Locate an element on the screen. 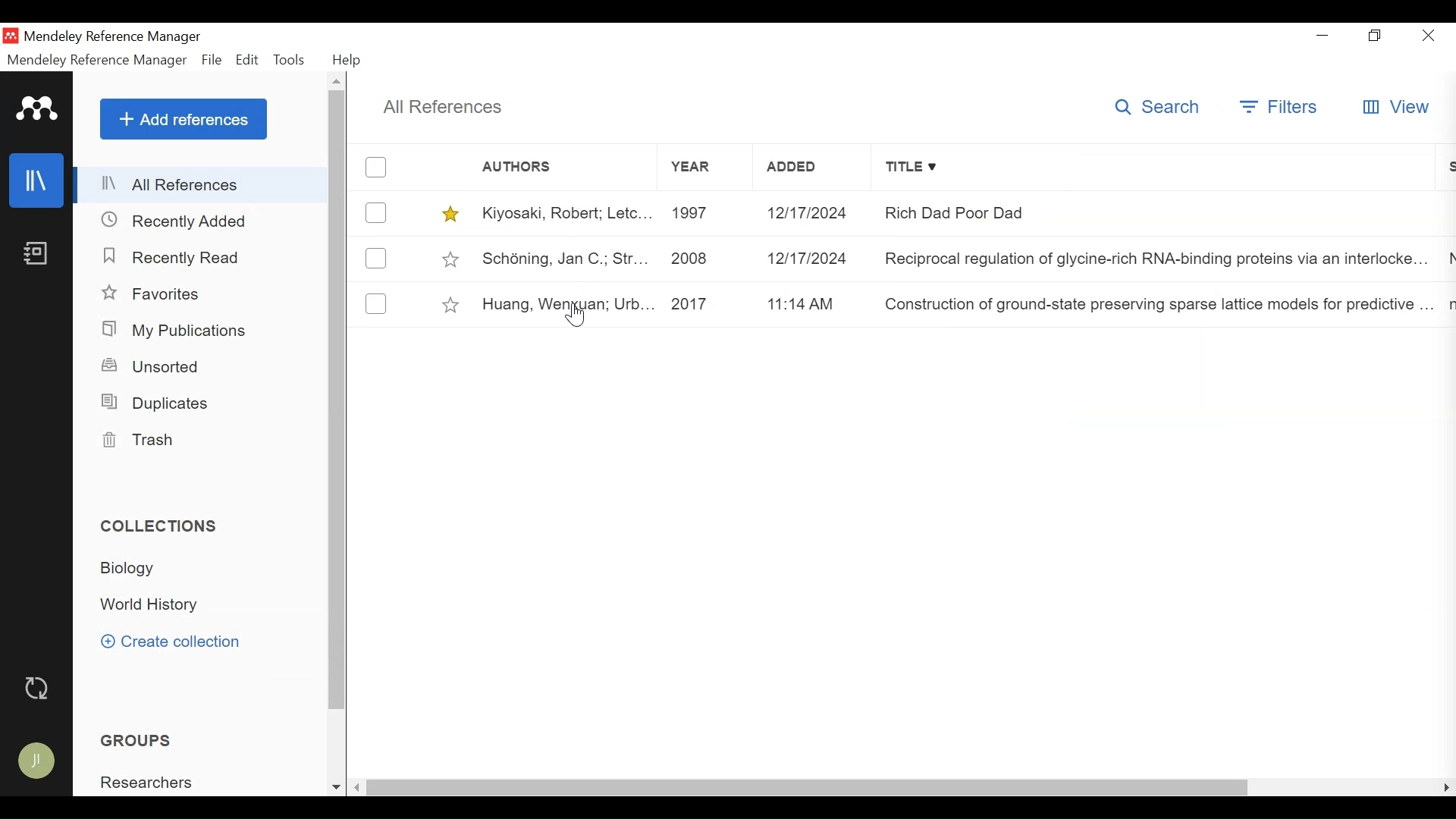 Image resolution: width=1456 pixels, height=819 pixels. Year is located at coordinates (704, 168).